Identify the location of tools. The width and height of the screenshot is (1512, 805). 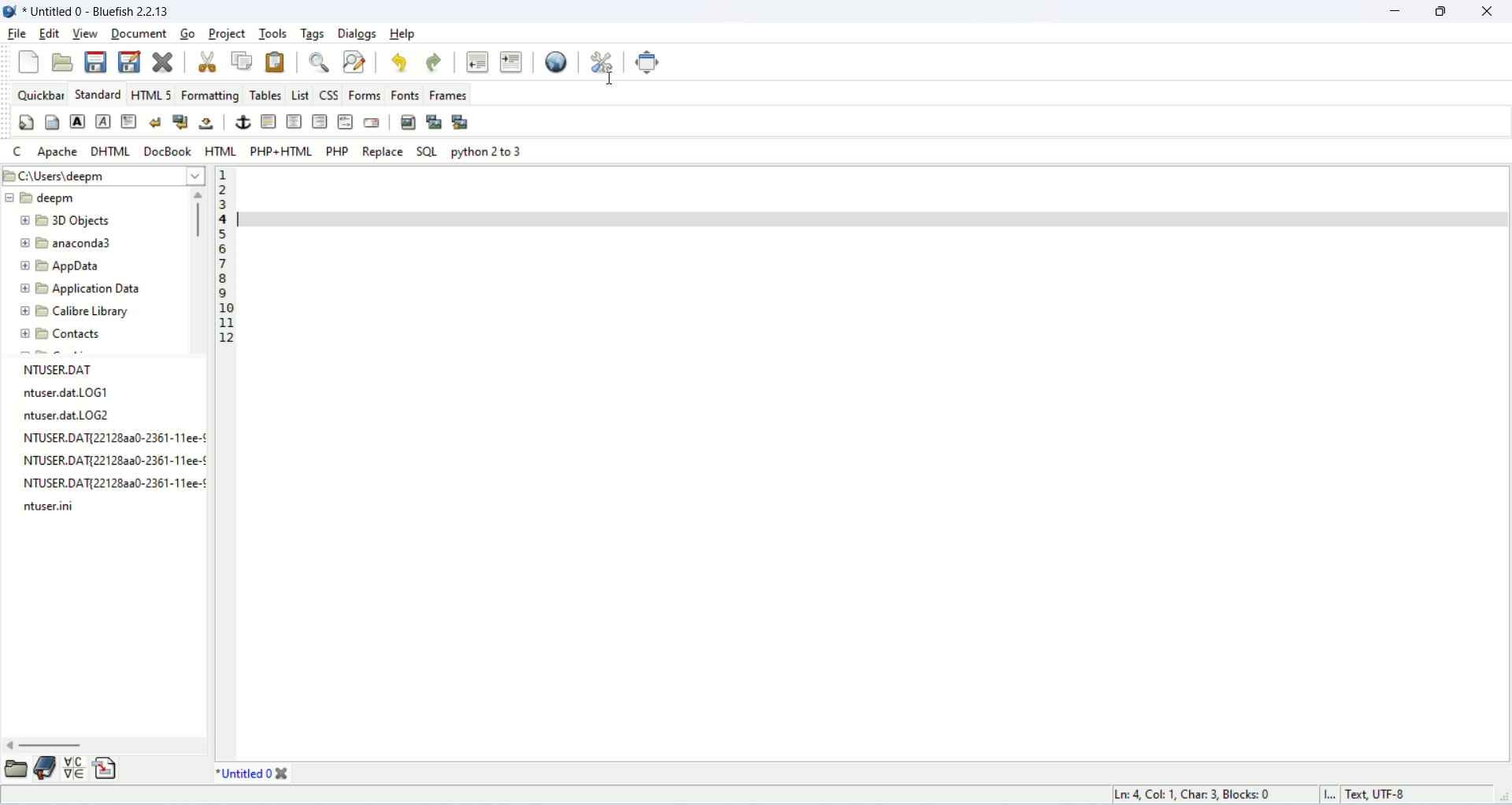
(274, 34).